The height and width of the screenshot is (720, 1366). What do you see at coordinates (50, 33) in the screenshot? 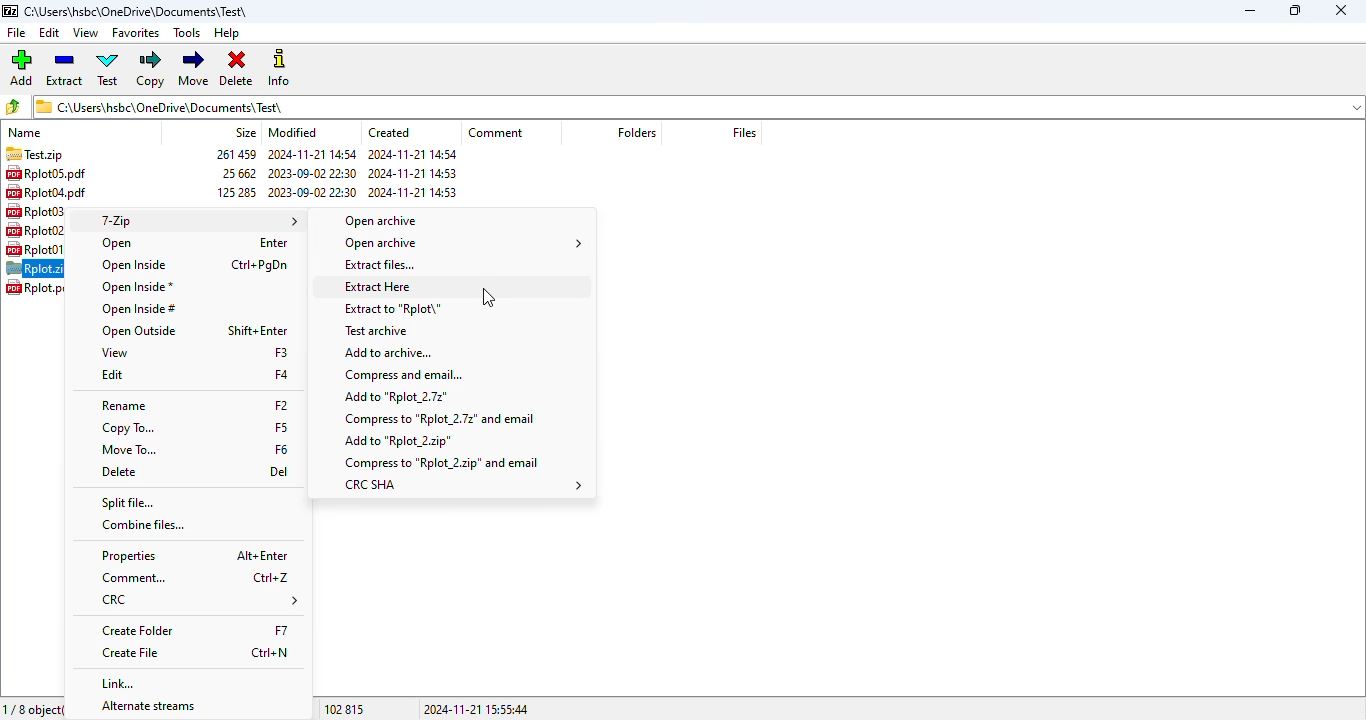
I see `edit` at bounding box center [50, 33].